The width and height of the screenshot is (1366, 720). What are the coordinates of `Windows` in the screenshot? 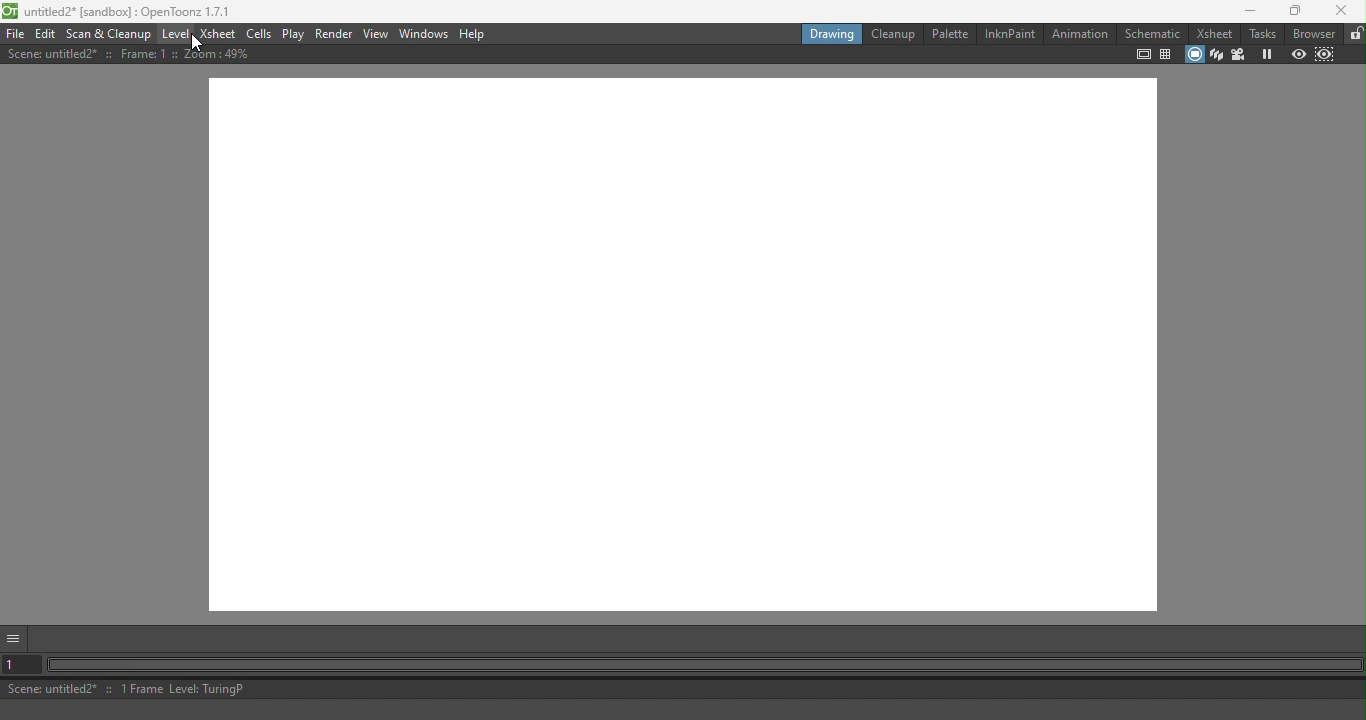 It's located at (425, 34).